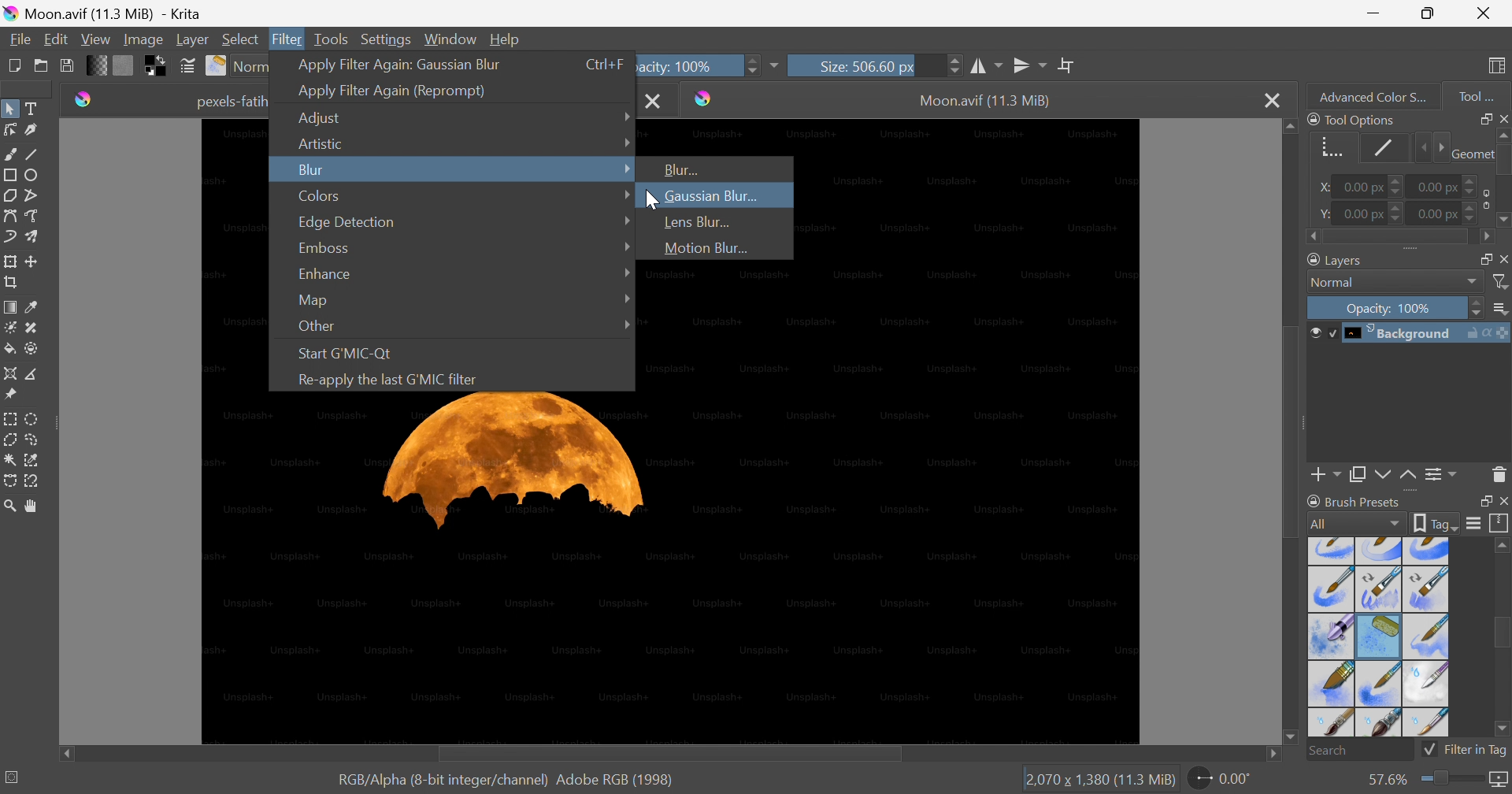 The image size is (1512, 794). I want to click on Slider, so click(1454, 781).